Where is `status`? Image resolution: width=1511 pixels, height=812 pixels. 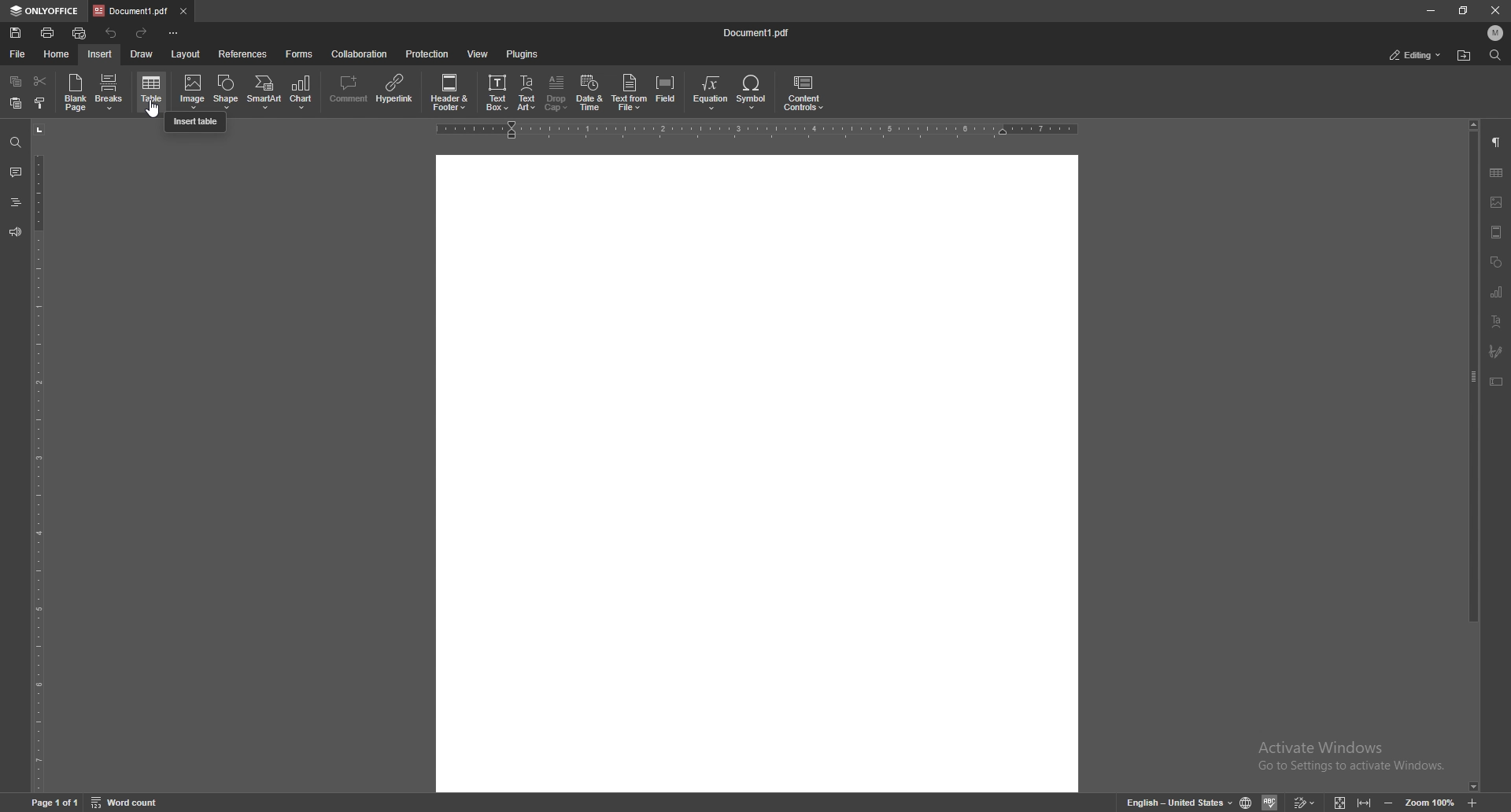
status is located at coordinates (1417, 55).